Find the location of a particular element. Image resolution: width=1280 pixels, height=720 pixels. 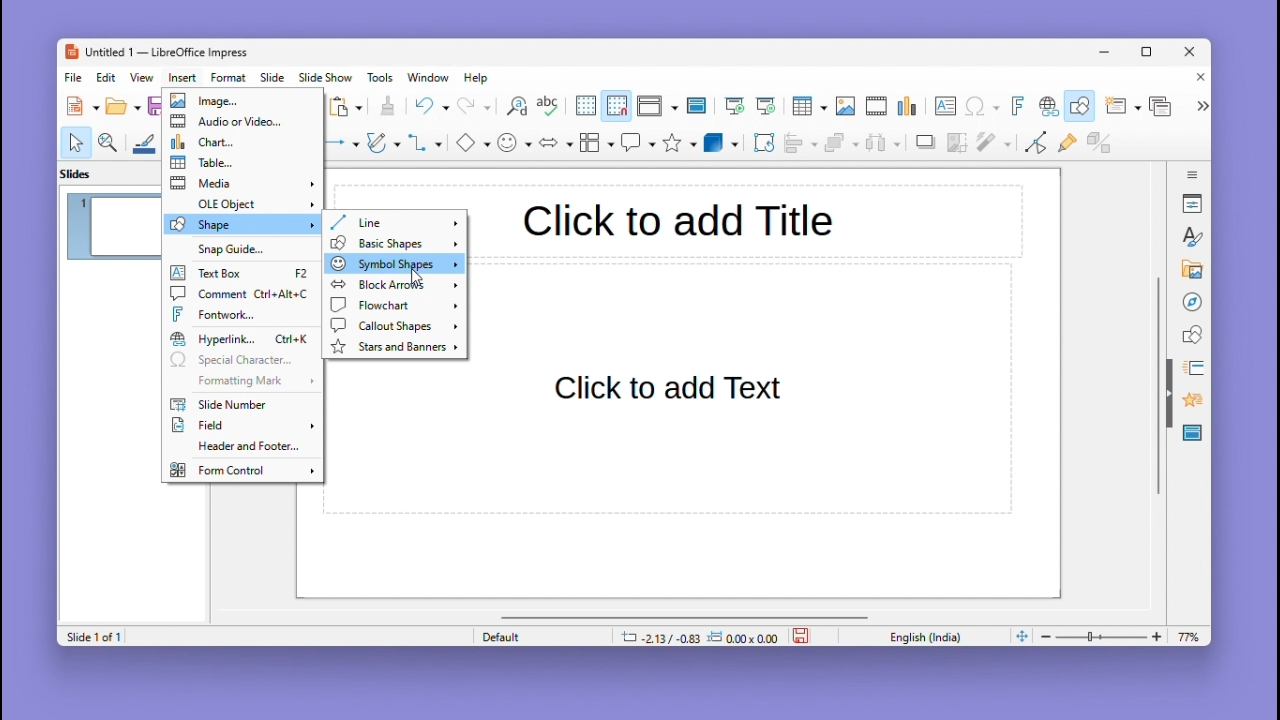

Help is located at coordinates (478, 78).